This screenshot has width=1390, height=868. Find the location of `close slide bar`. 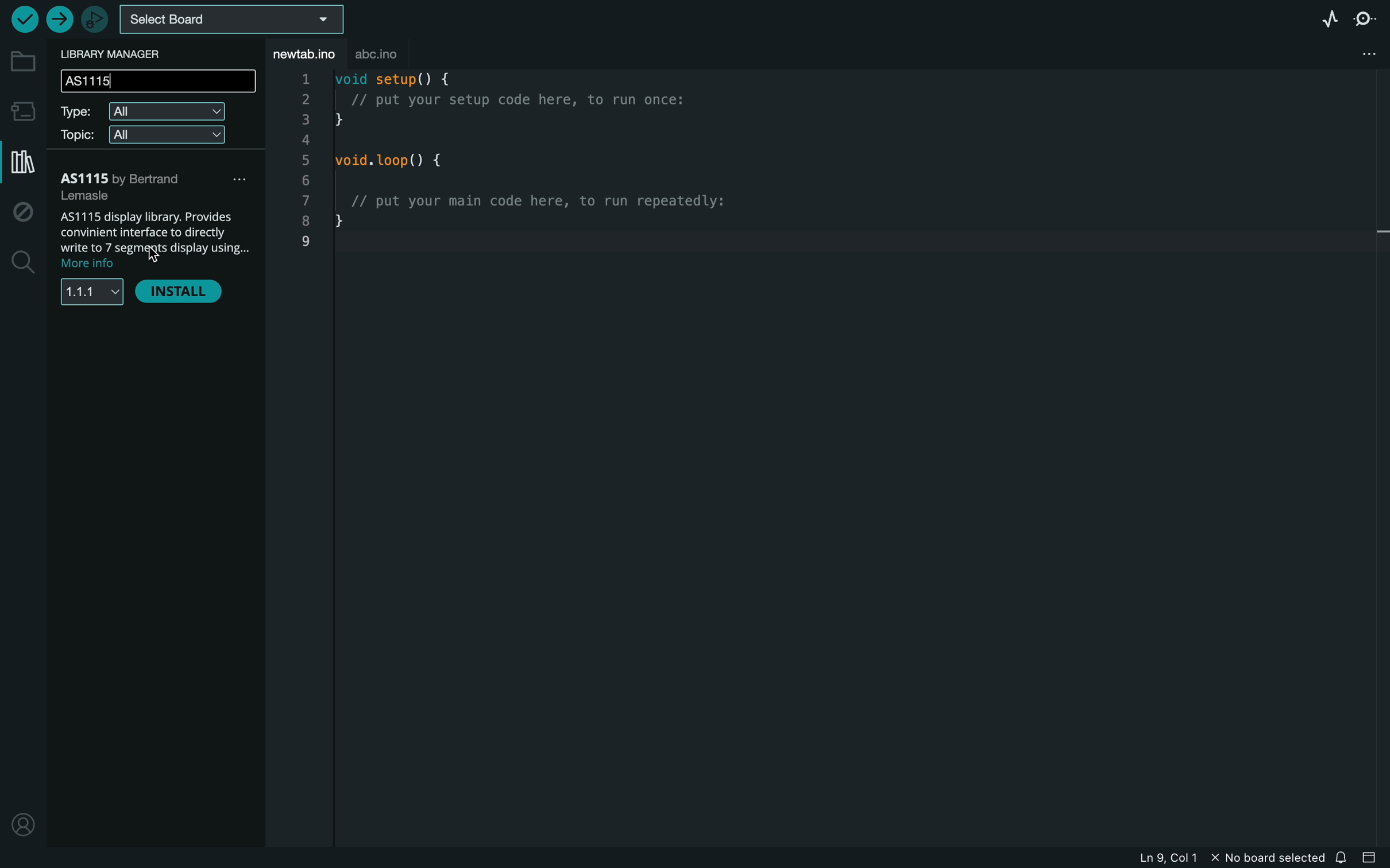

close slide bar is located at coordinates (1369, 859).